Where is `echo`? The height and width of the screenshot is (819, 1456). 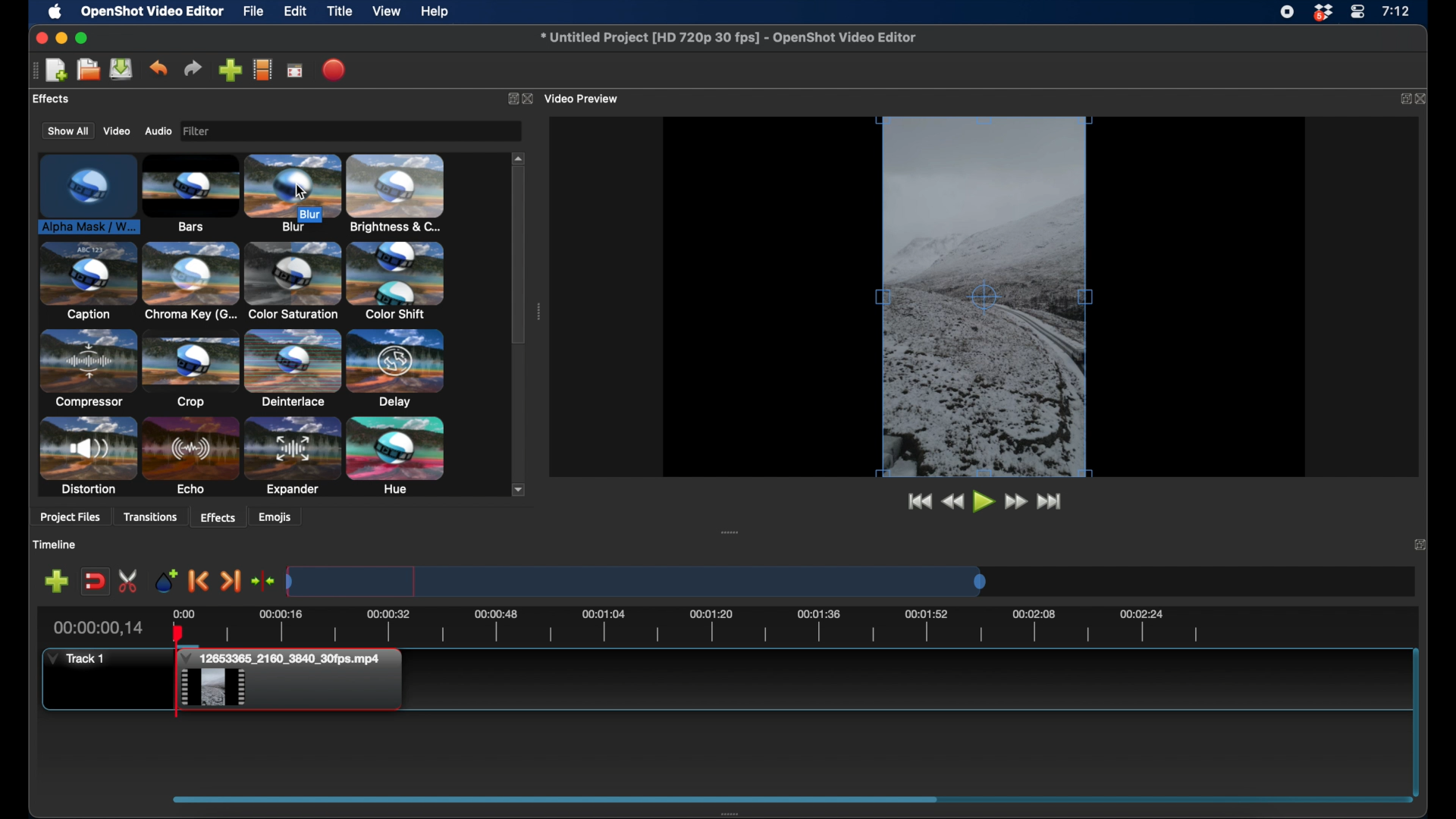
echo is located at coordinates (190, 457).